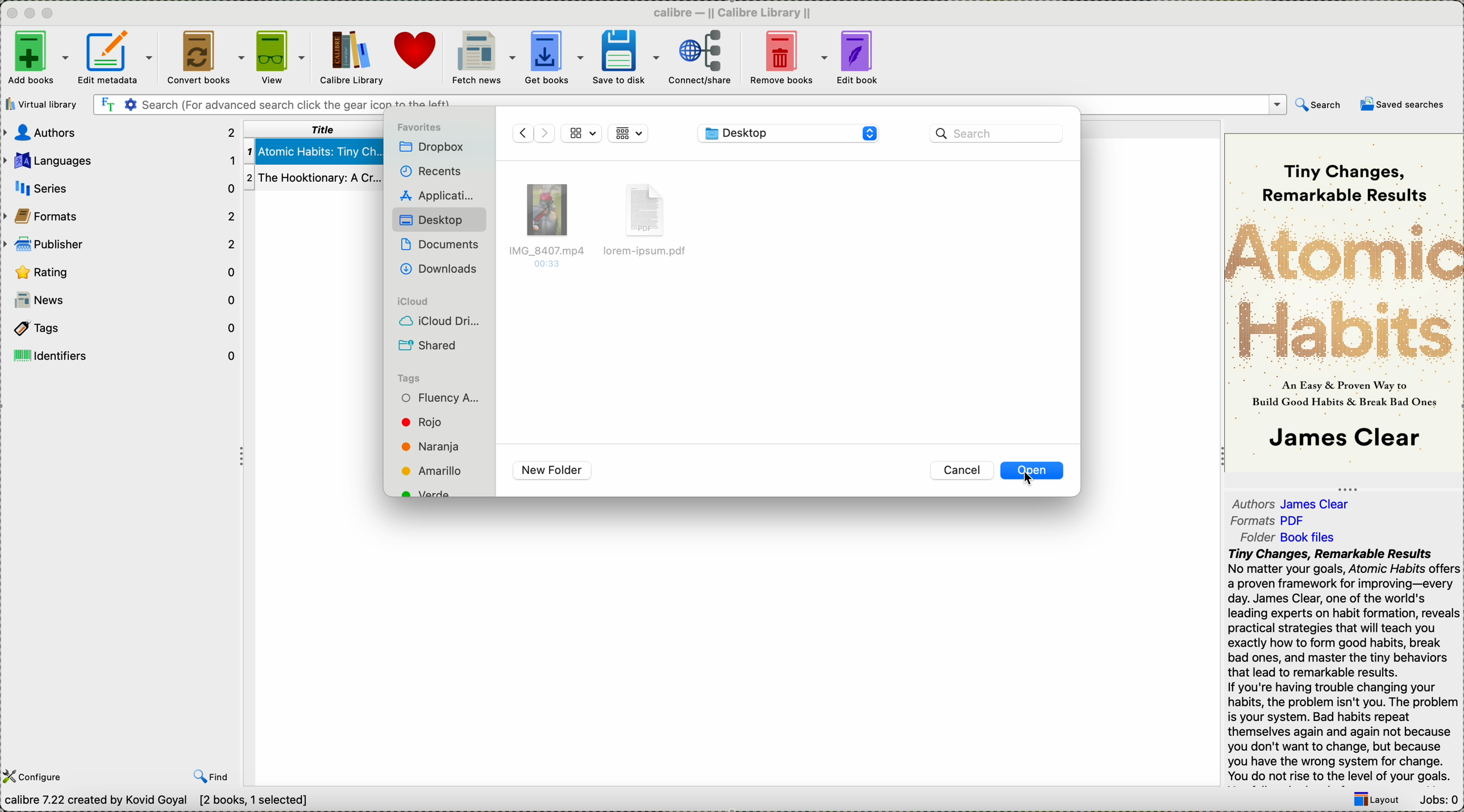 The image size is (1464, 812). Describe the element at coordinates (314, 152) in the screenshot. I see `book selected` at that location.